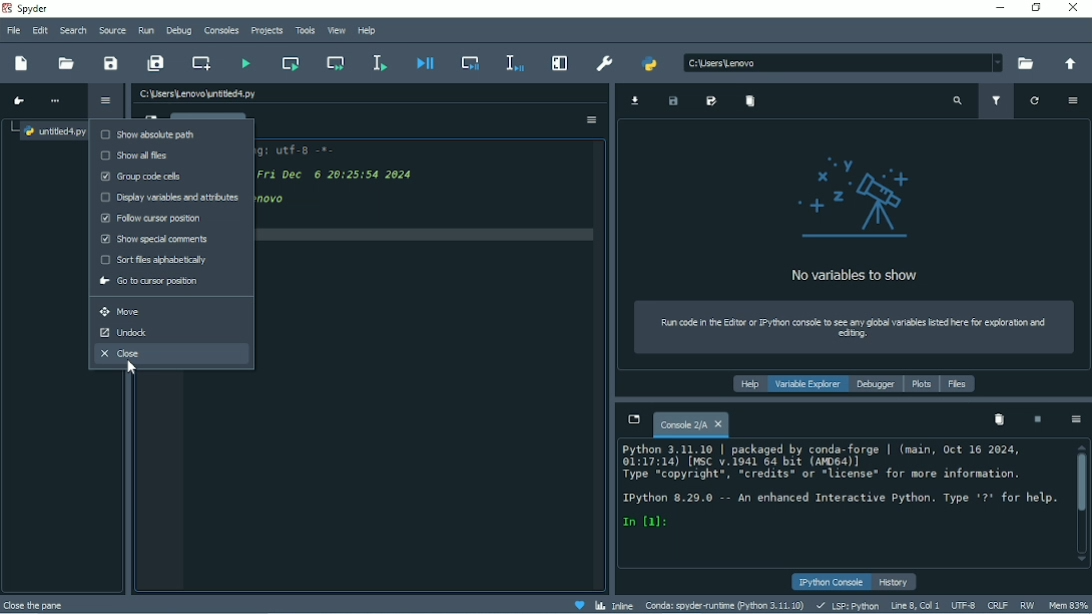 This screenshot has height=614, width=1092. What do you see at coordinates (199, 62) in the screenshot?
I see `Create new cell at the current line` at bounding box center [199, 62].